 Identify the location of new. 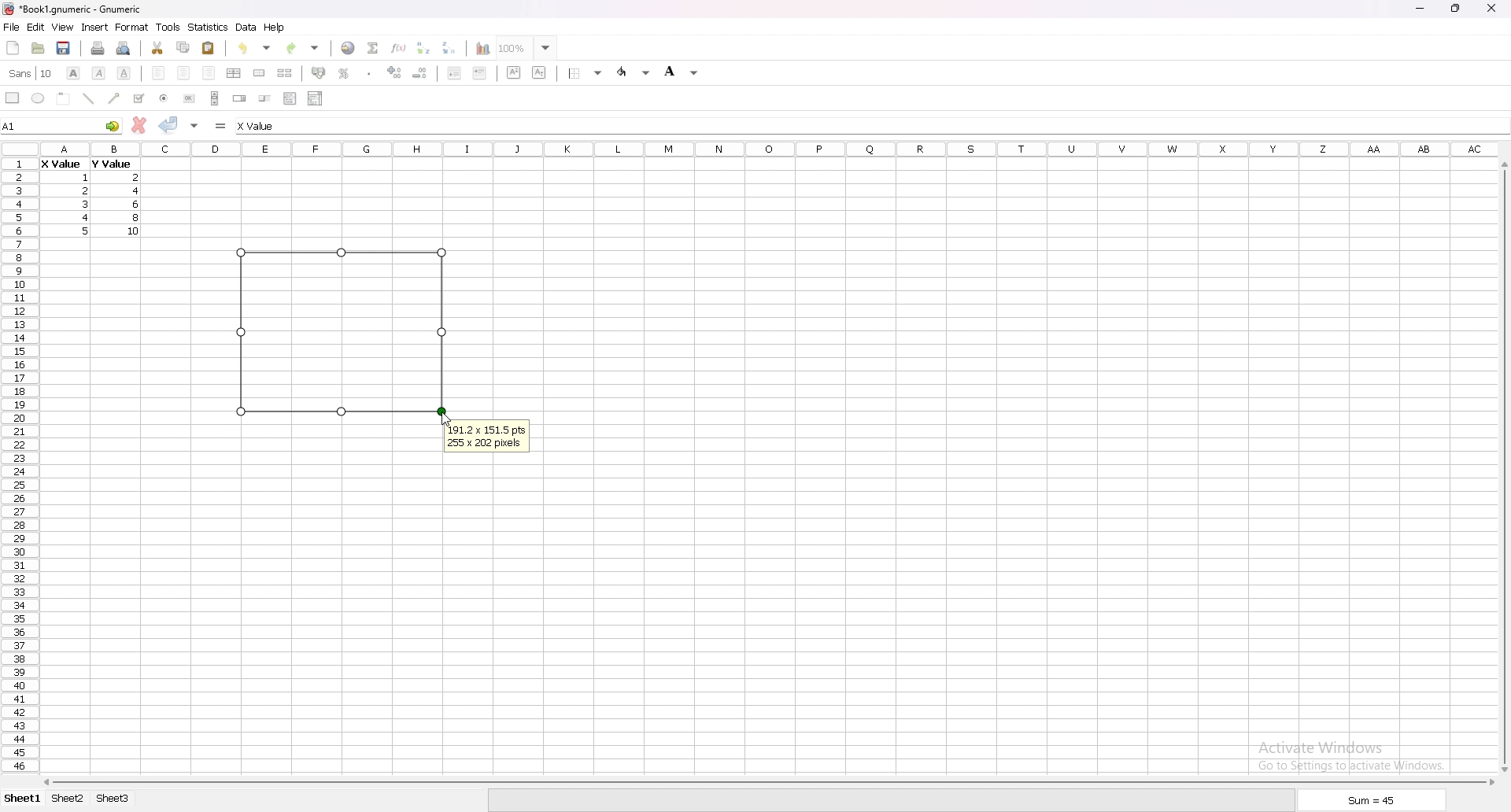
(13, 47).